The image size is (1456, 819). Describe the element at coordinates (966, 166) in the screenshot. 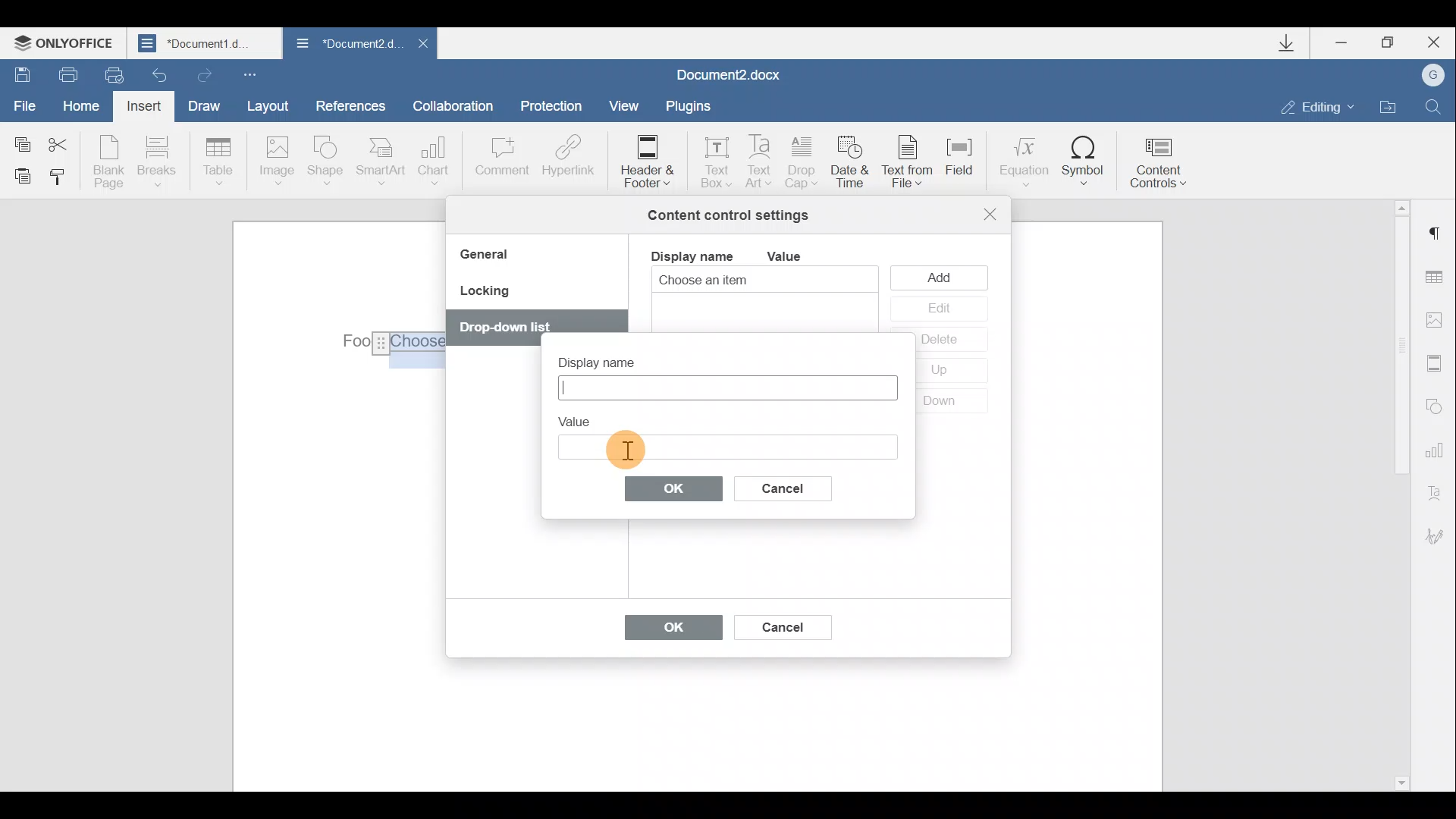

I see `Field` at that location.